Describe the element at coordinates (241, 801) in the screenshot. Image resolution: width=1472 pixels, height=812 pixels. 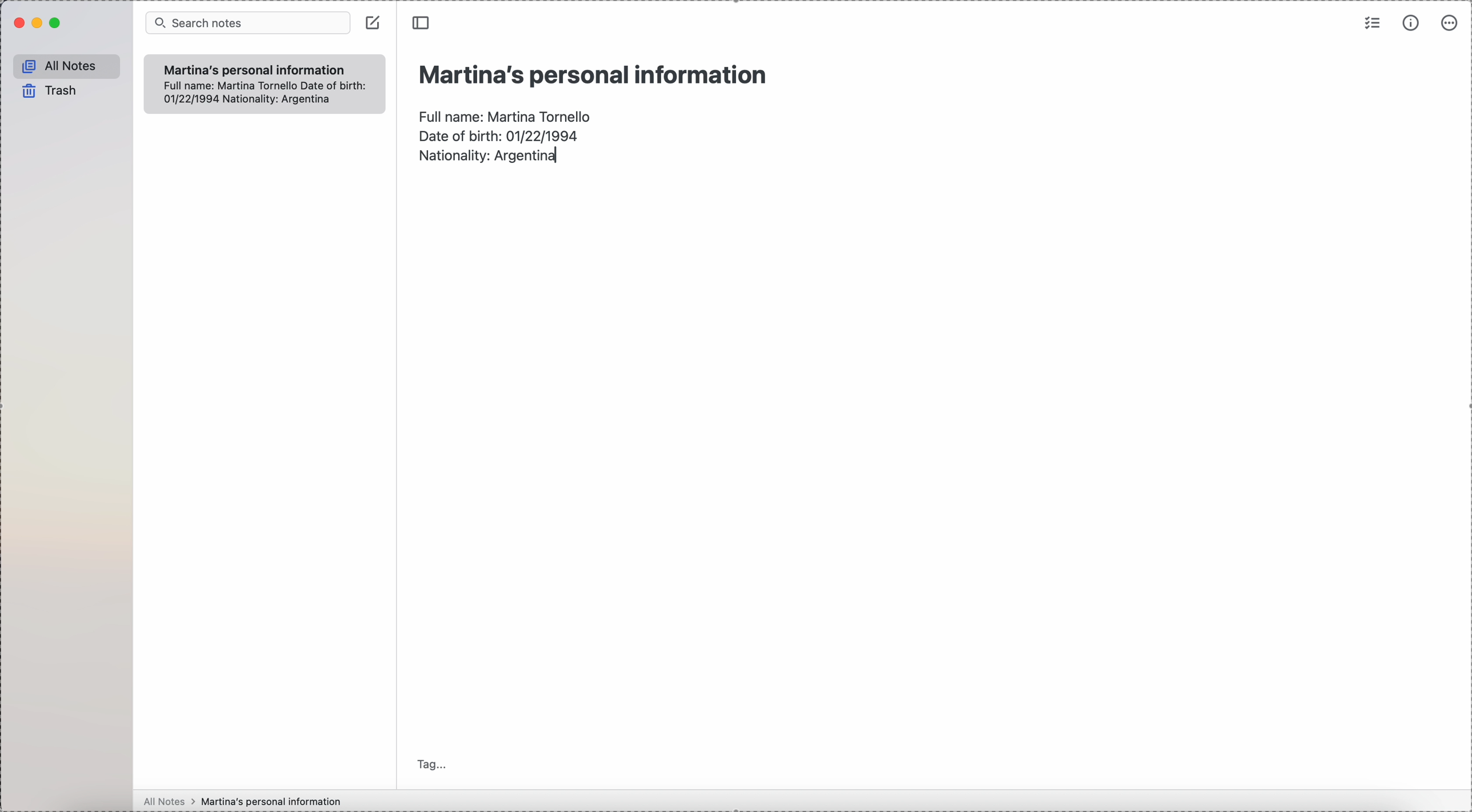
I see `all notes > Martina's personal information` at that location.